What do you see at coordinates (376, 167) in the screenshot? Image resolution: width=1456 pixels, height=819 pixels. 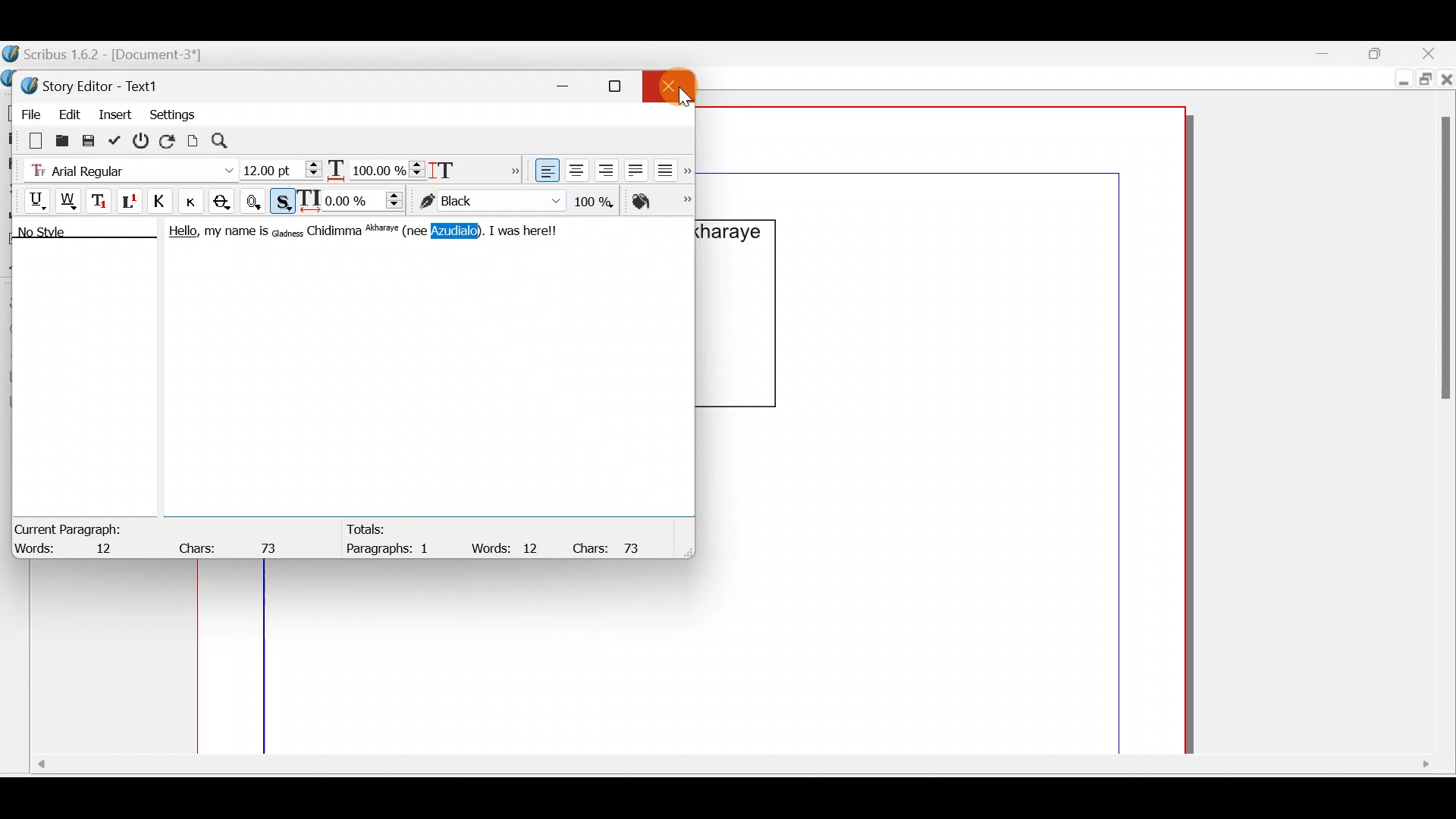 I see `Scaling width of characters` at bounding box center [376, 167].